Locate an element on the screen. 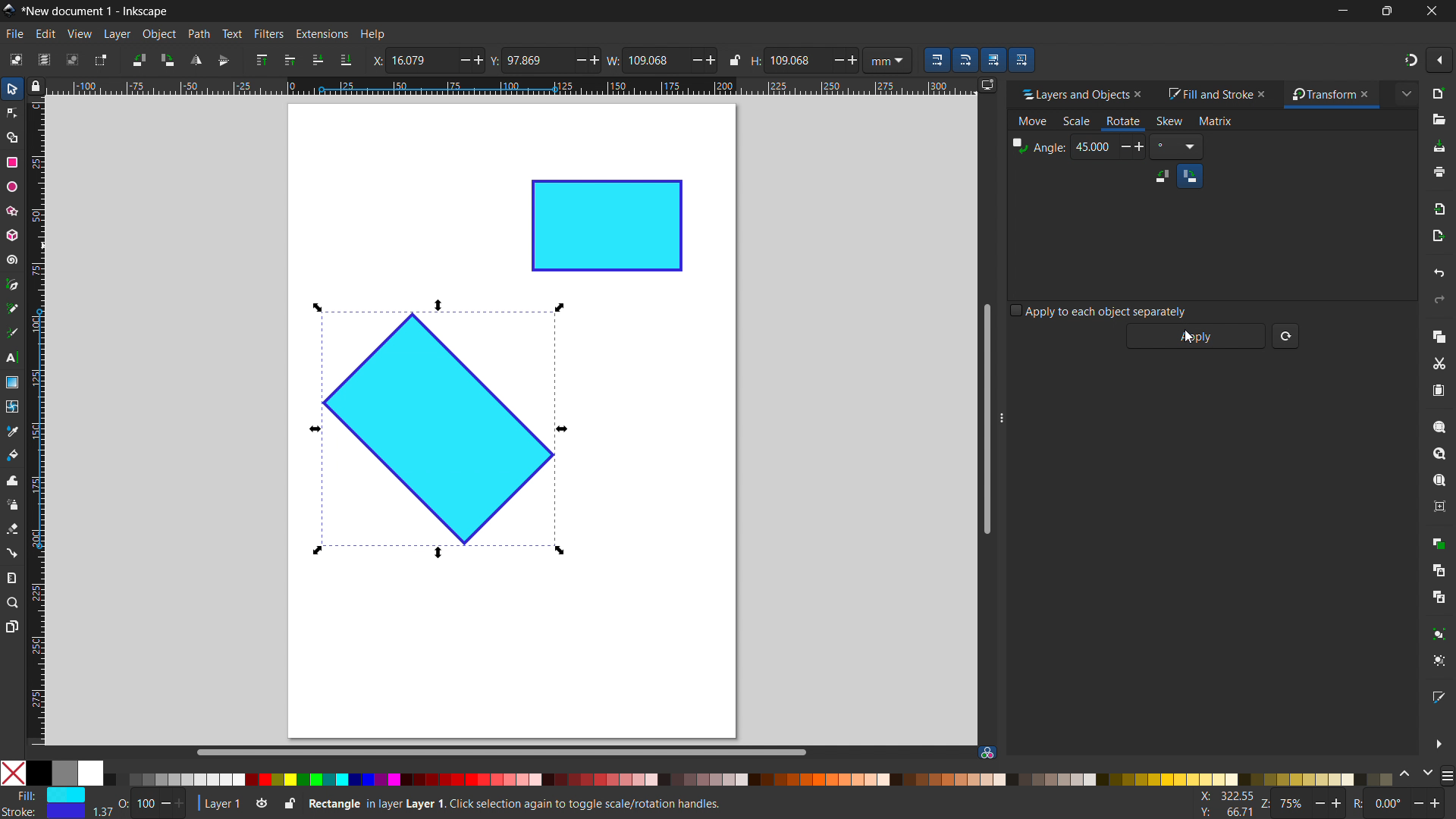  X: 23.447 is located at coordinates (409, 60).